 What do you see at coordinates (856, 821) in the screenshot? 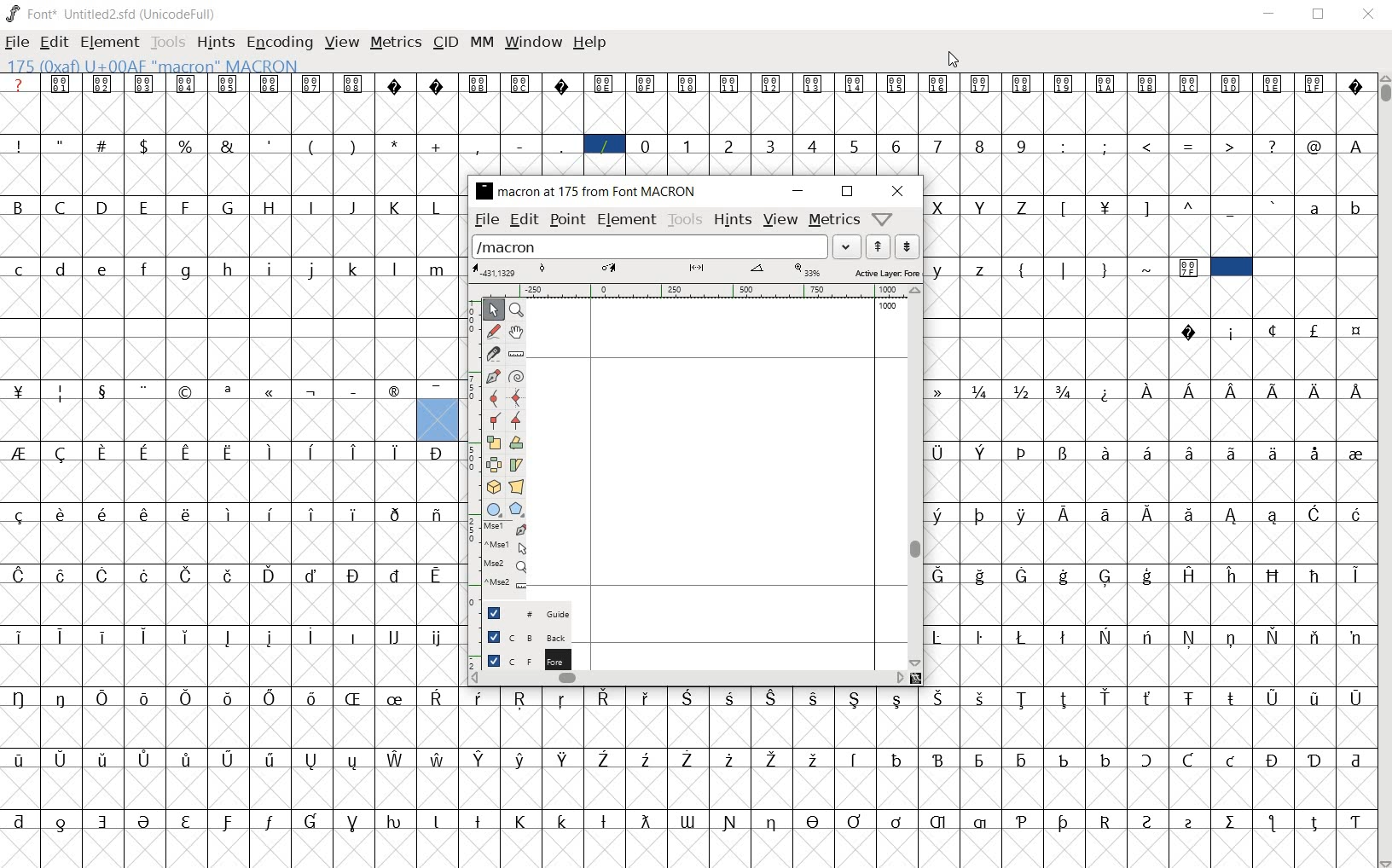
I see `Symbol` at bounding box center [856, 821].